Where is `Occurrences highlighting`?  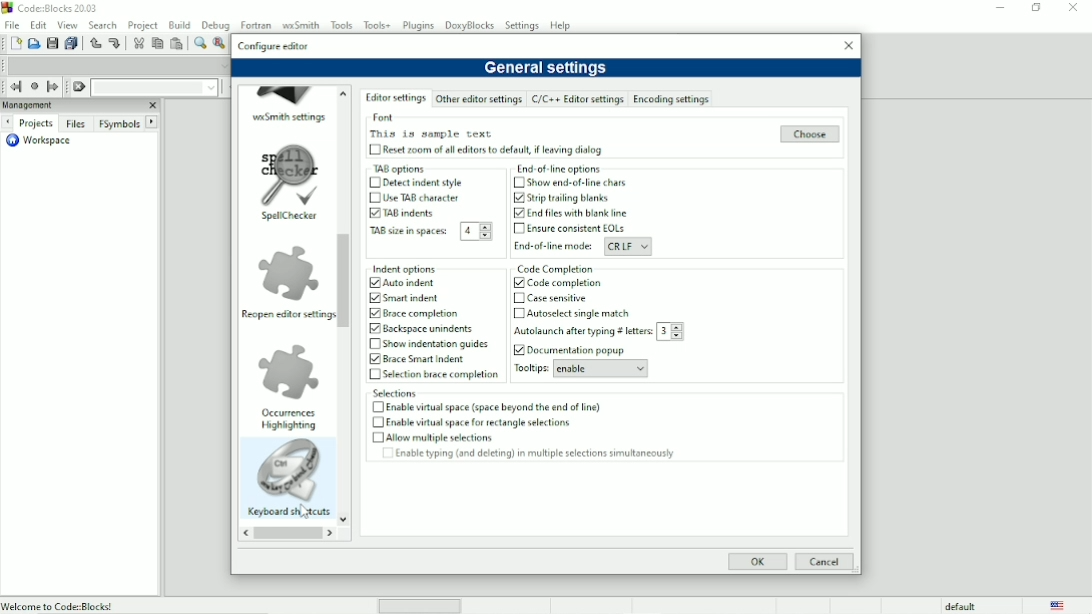 Occurrences highlighting is located at coordinates (288, 421).